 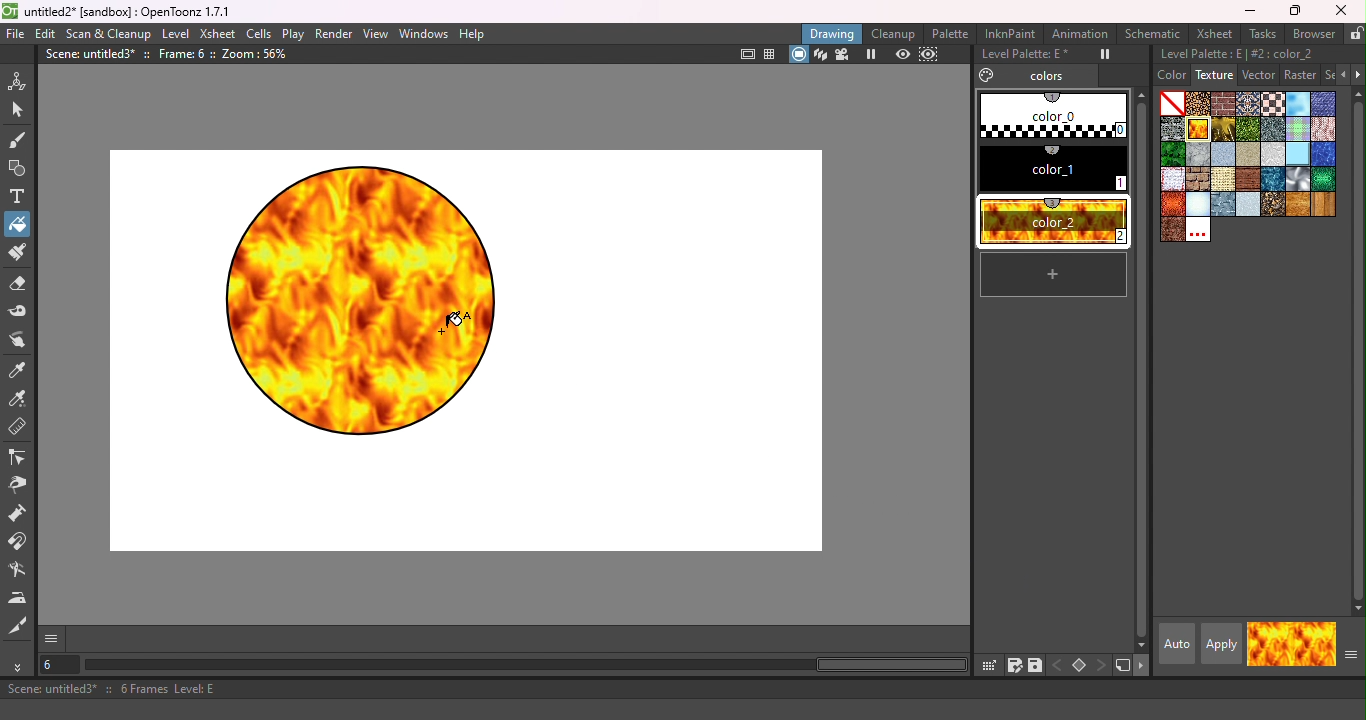 What do you see at coordinates (1213, 74) in the screenshot?
I see `Texture` at bounding box center [1213, 74].